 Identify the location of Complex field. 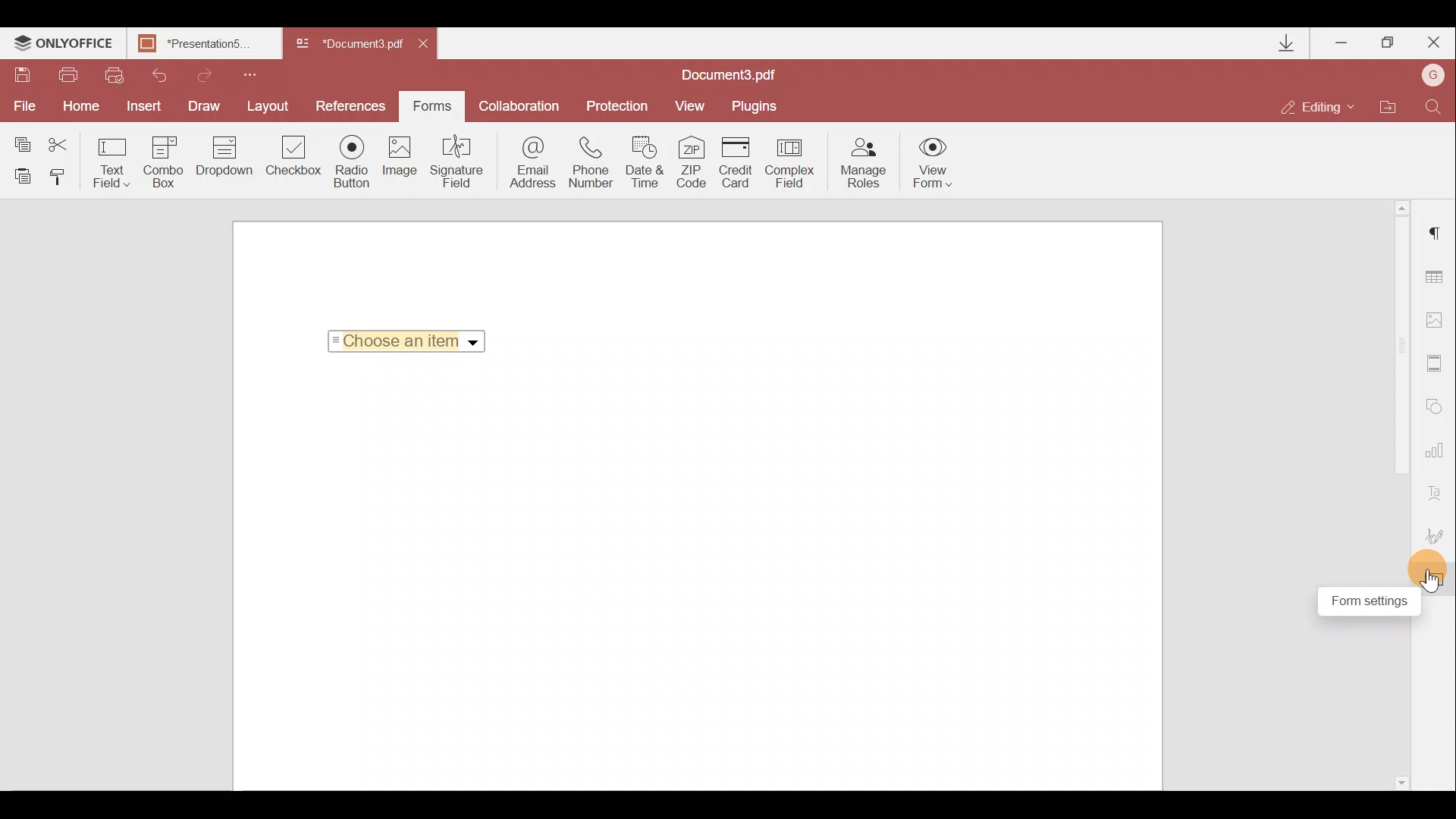
(792, 162).